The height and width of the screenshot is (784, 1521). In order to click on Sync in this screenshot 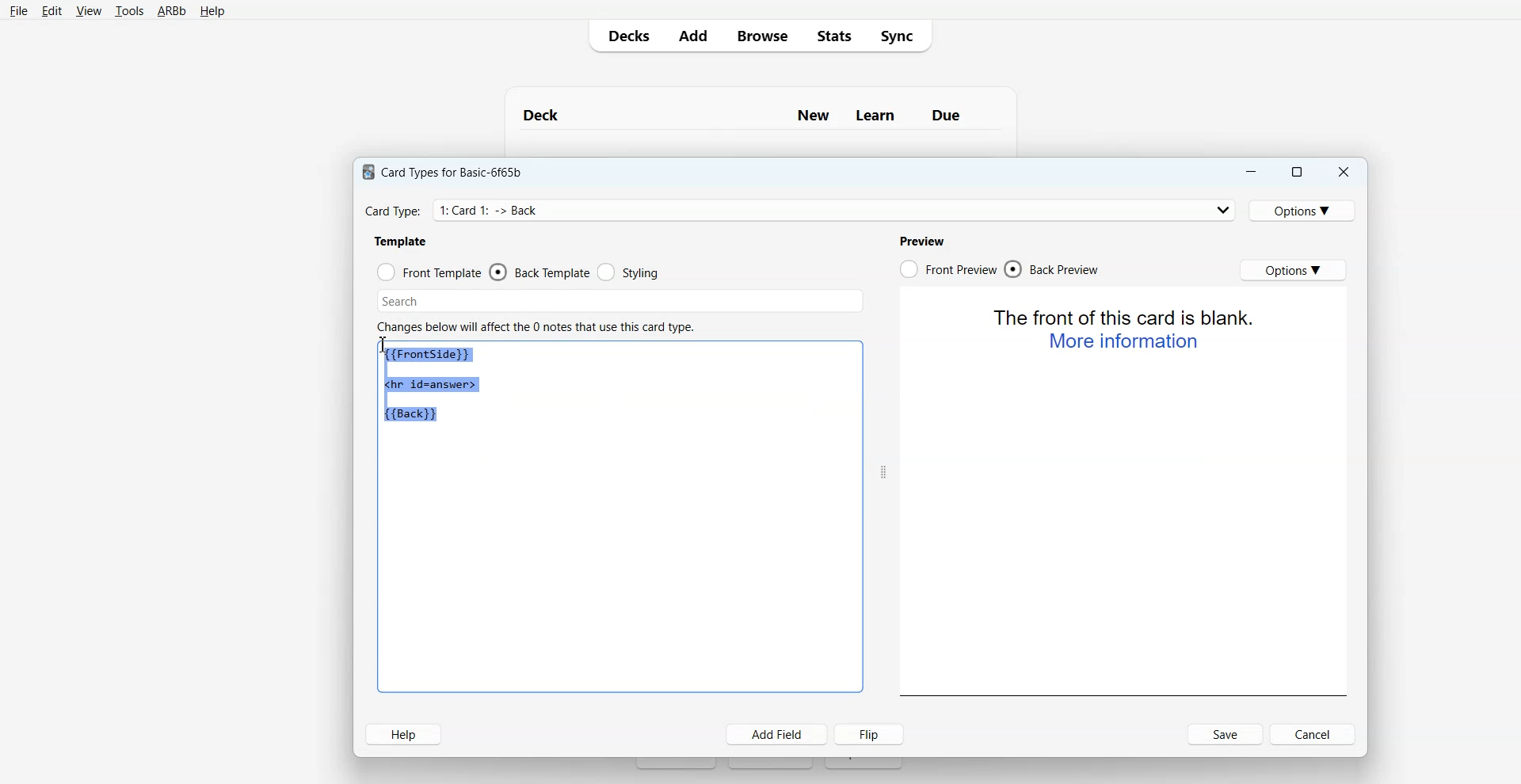, I will do `click(902, 36)`.